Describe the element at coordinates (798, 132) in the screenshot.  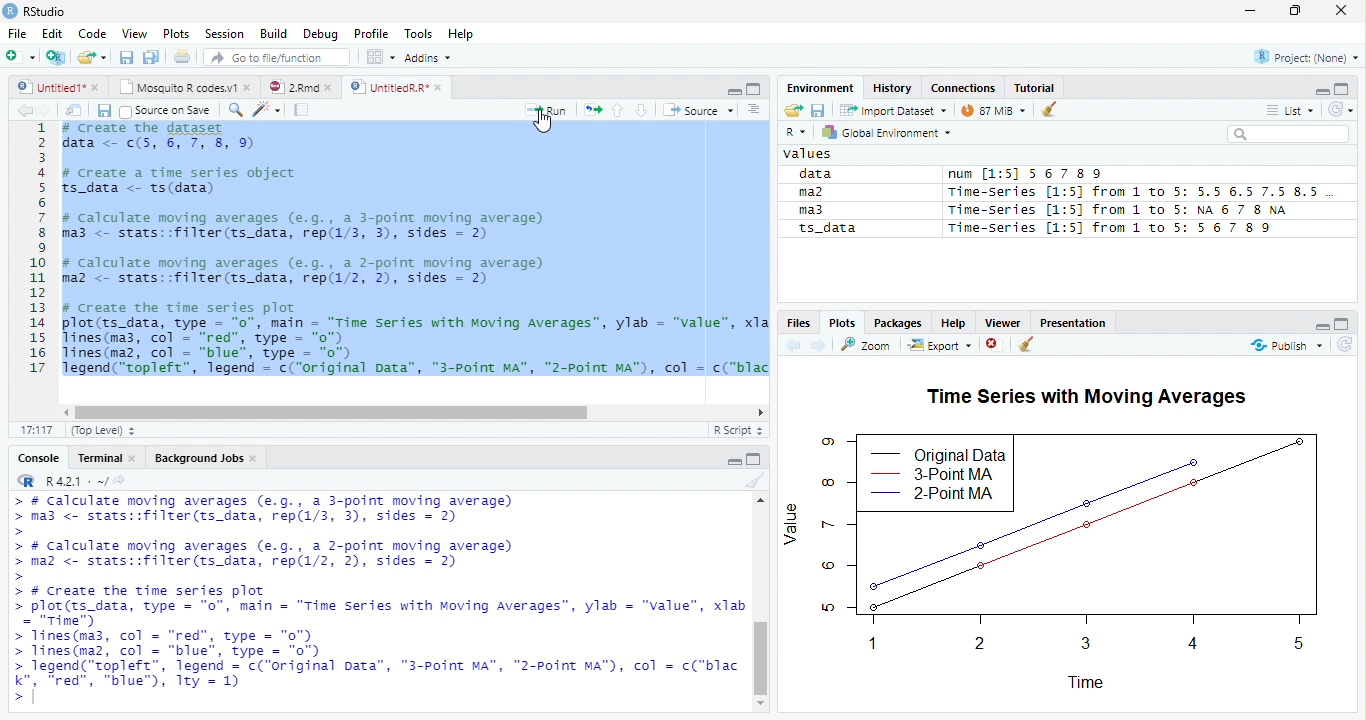
I see `R` at that location.